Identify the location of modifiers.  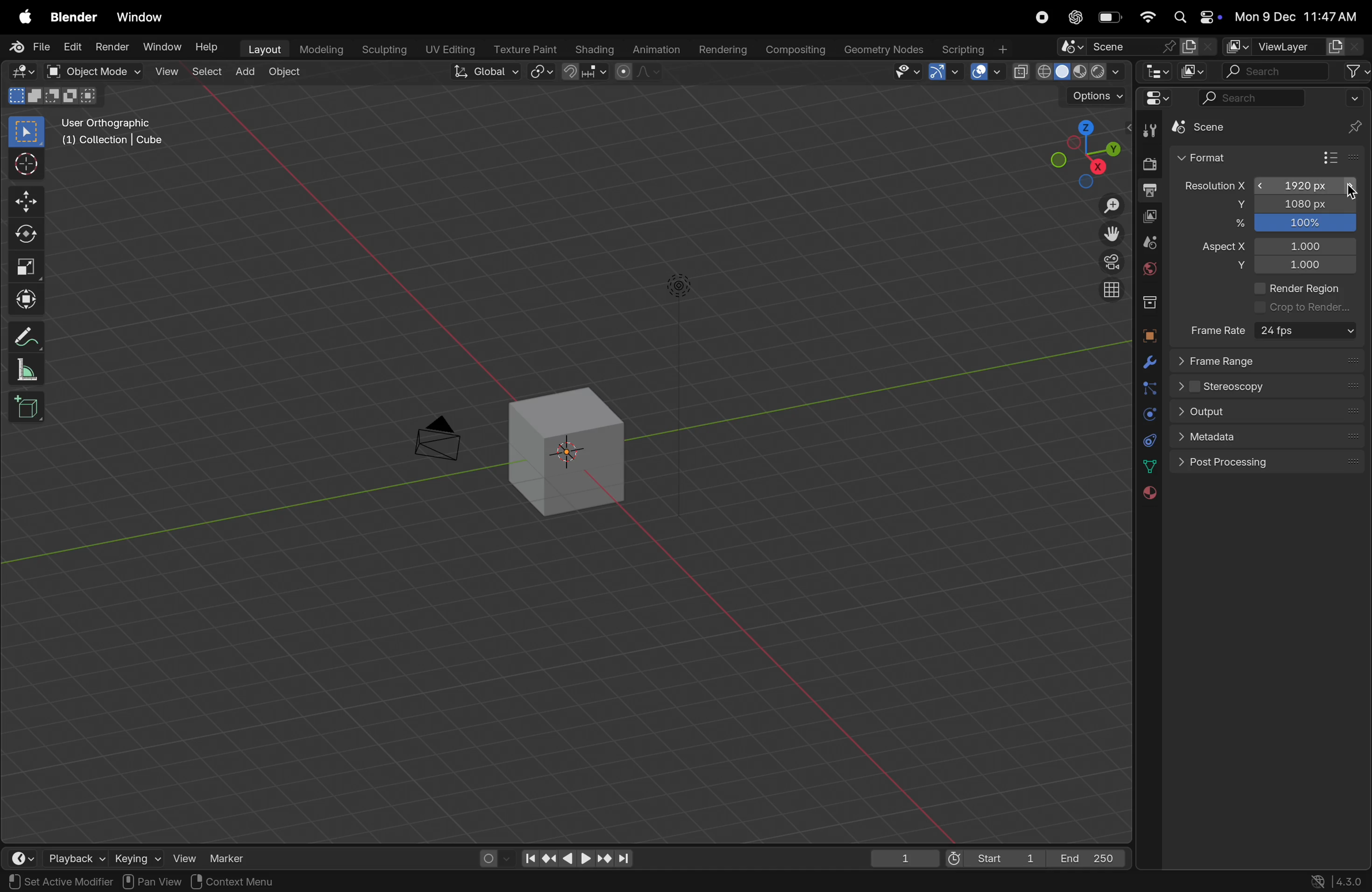
(1148, 361).